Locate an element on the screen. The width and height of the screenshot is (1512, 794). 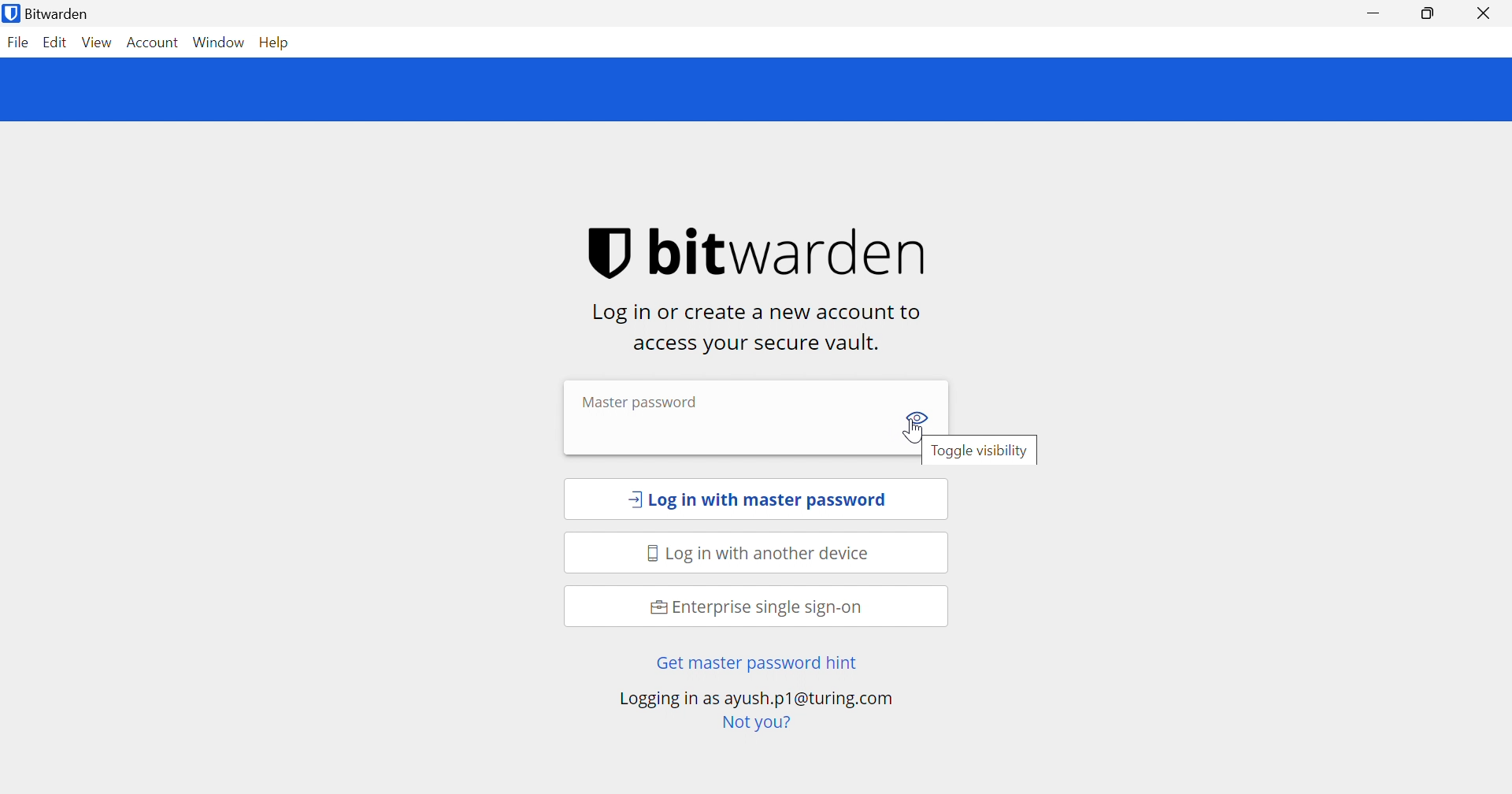
Window is located at coordinates (220, 42).